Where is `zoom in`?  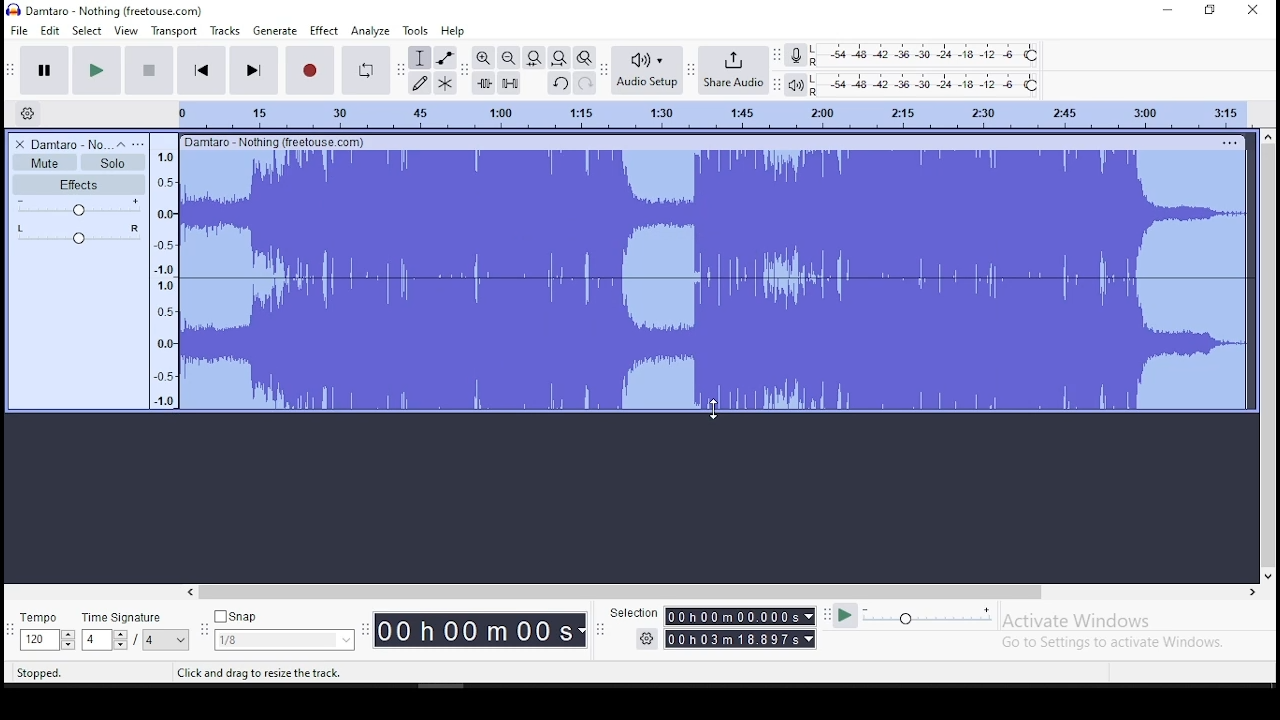 zoom in is located at coordinates (485, 58).